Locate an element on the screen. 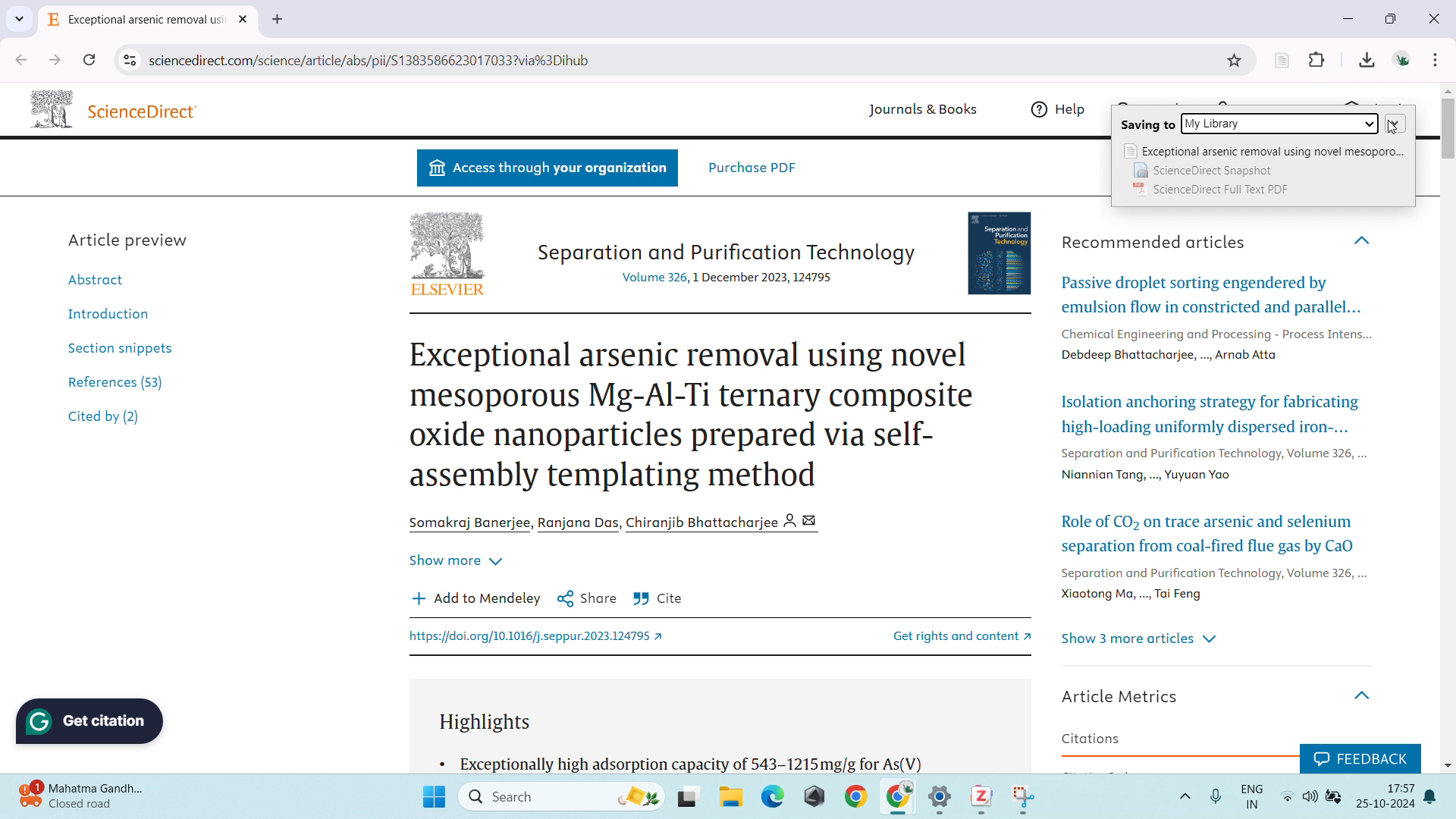 The height and width of the screenshot is (819, 1456). select collection to save the reference to is located at coordinates (1280, 124).